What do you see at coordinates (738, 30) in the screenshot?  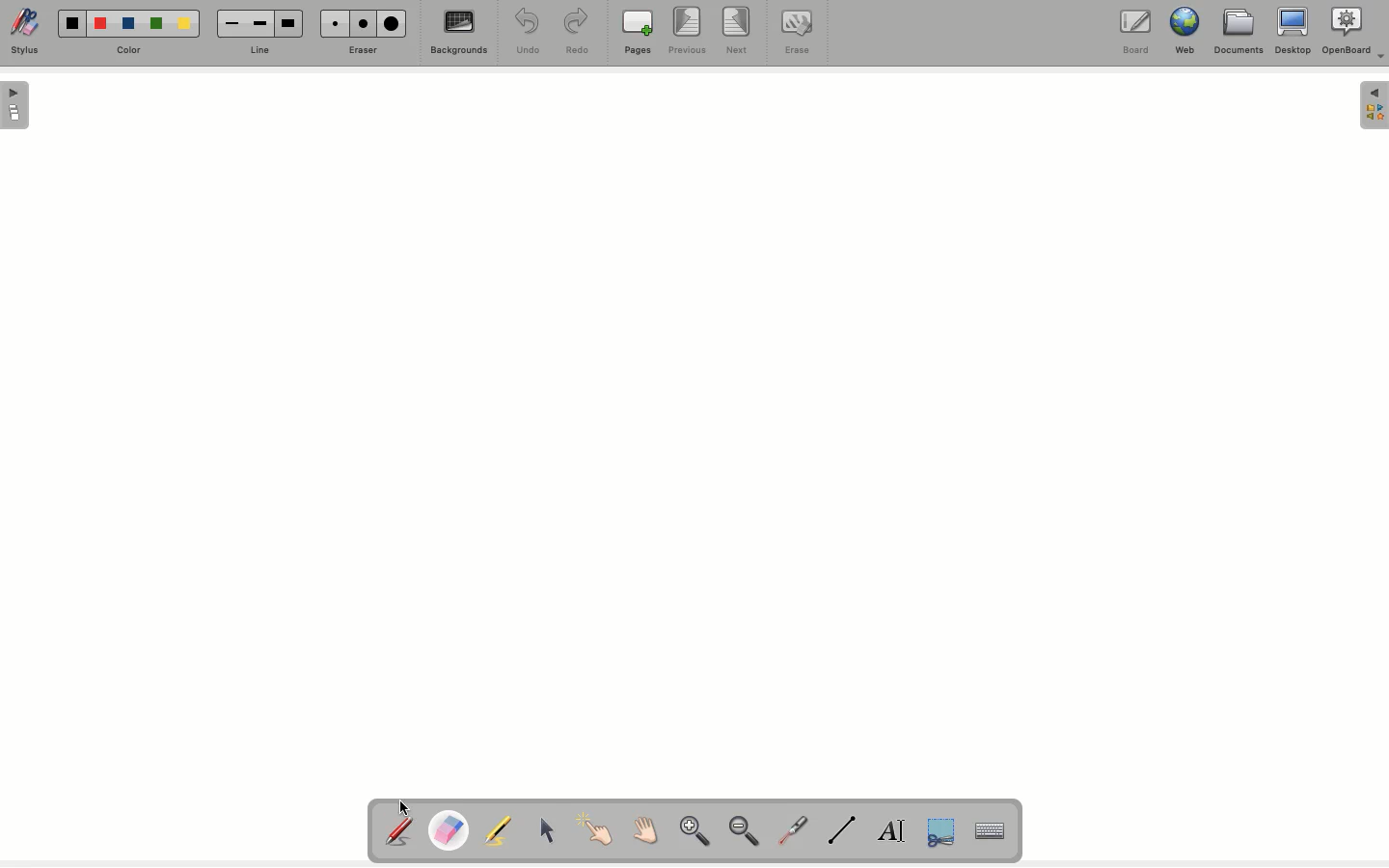 I see `Next` at bounding box center [738, 30].